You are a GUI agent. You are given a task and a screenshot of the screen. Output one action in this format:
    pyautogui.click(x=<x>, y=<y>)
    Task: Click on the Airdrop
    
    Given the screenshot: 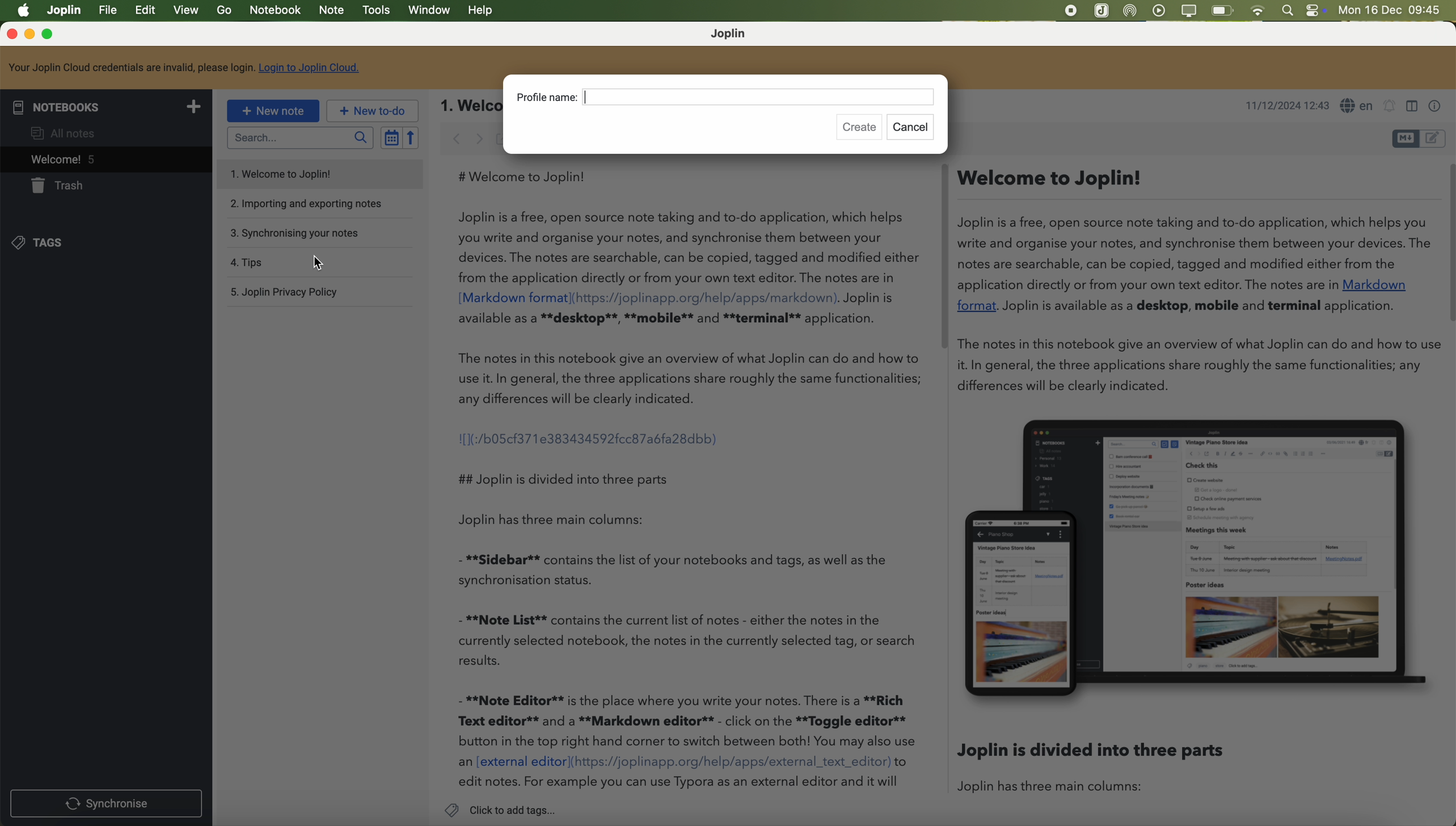 What is the action you would take?
    pyautogui.click(x=1133, y=11)
    